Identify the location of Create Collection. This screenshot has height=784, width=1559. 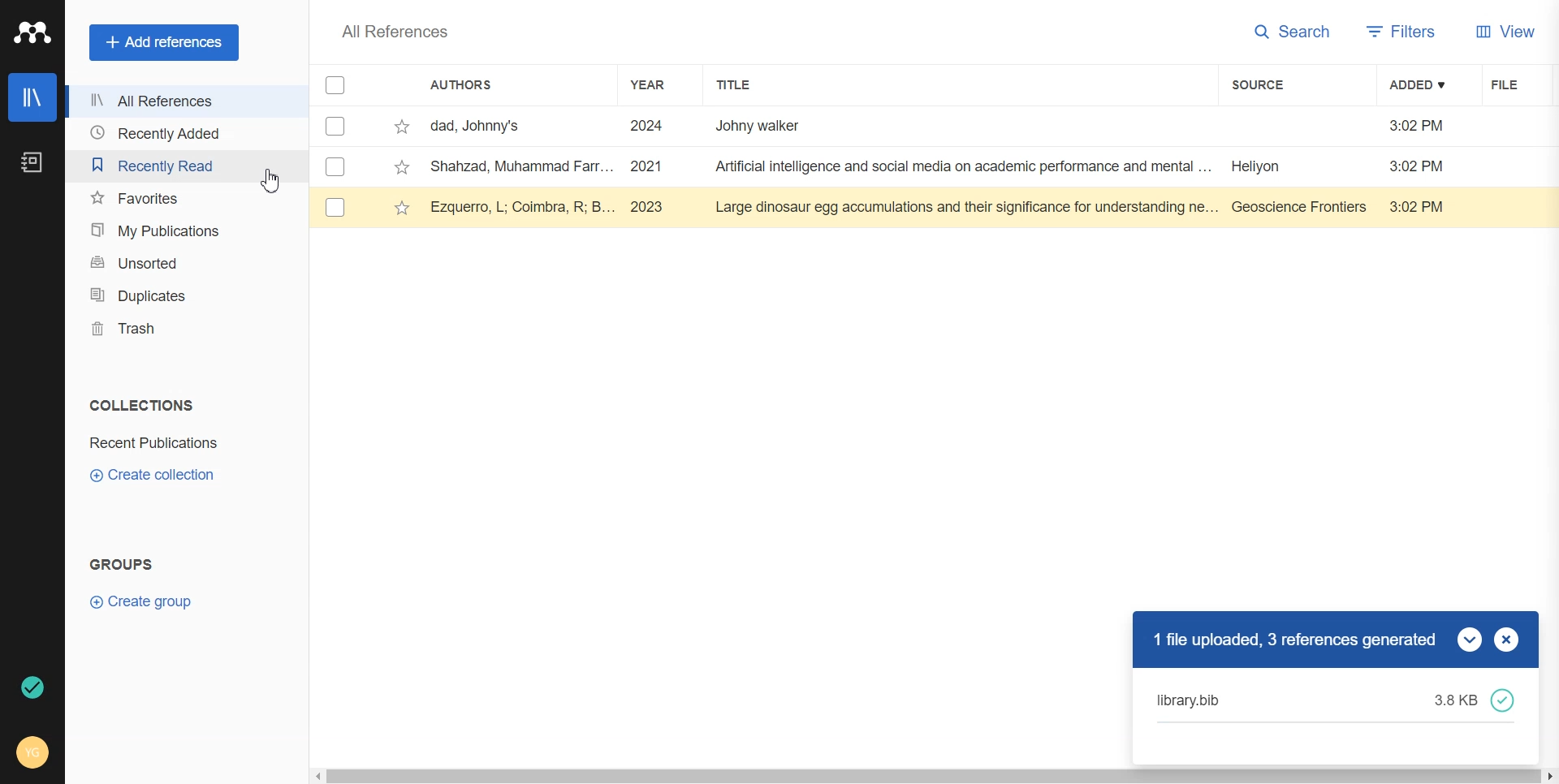
(149, 475).